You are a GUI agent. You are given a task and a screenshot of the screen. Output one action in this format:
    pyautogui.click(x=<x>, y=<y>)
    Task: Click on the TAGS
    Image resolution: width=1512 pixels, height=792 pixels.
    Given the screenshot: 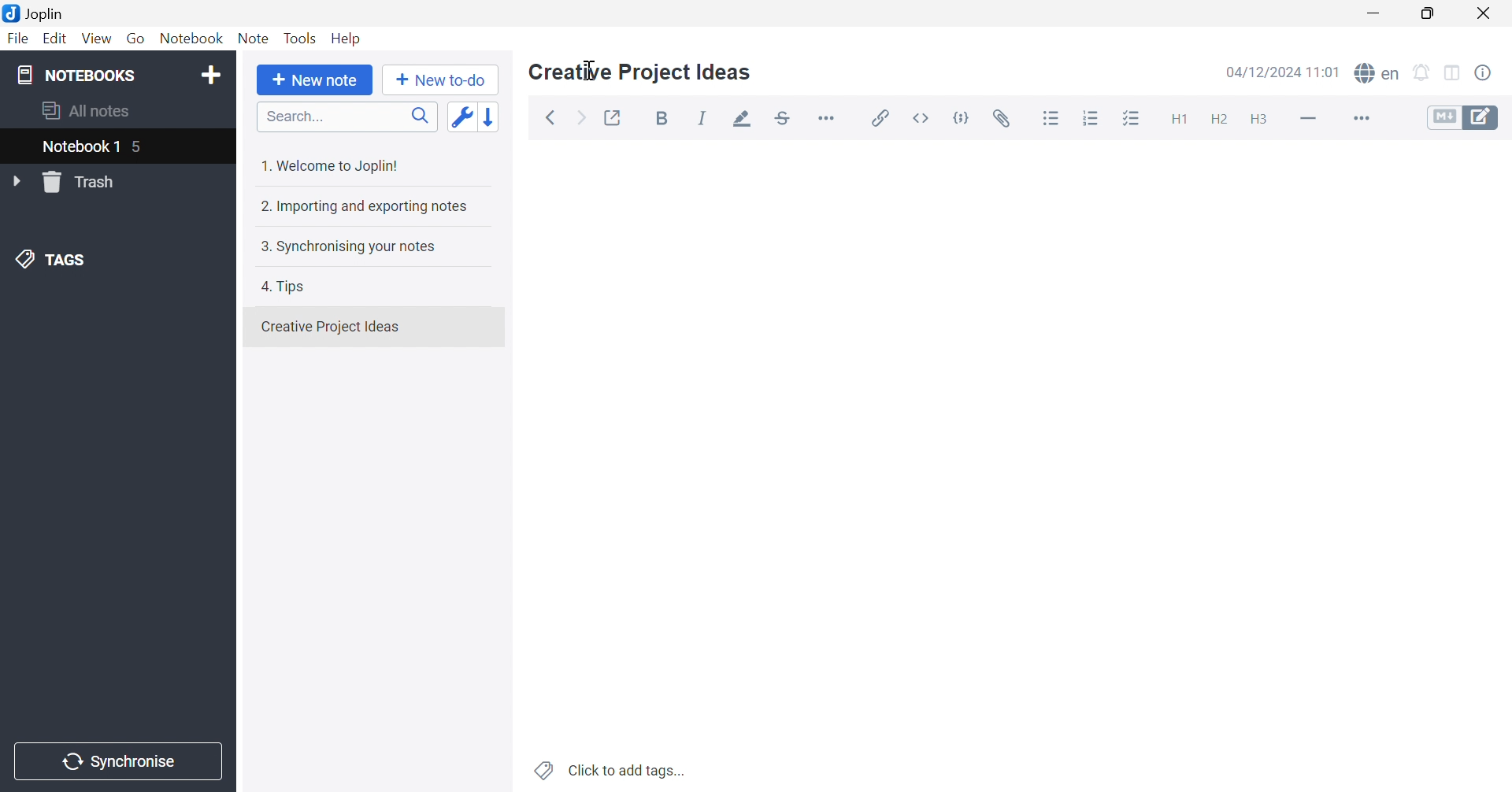 What is the action you would take?
    pyautogui.click(x=51, y=261)
    